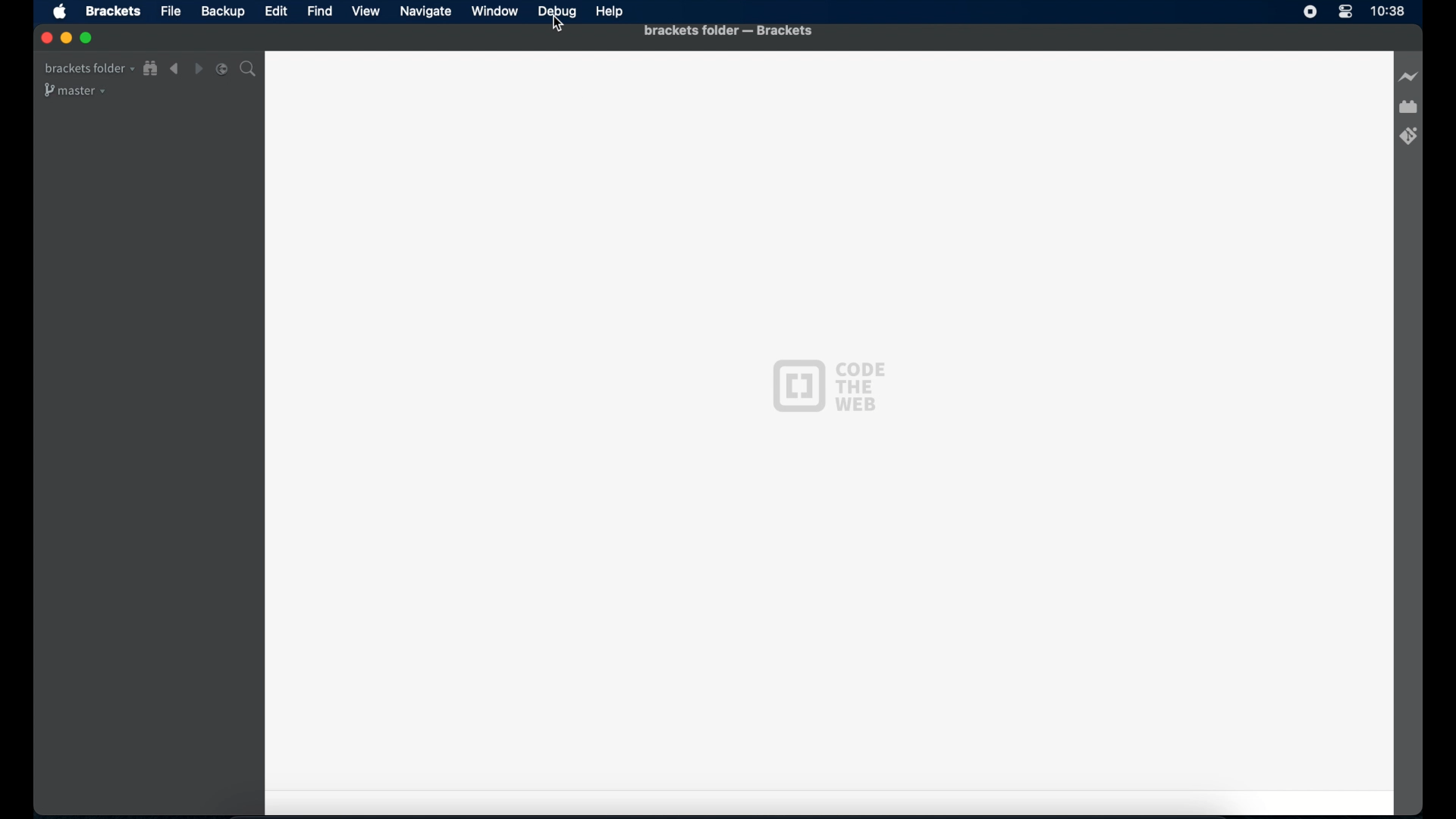  Describe the element at coordinates (610, 13) in the screenshot. I see `help` at that location.